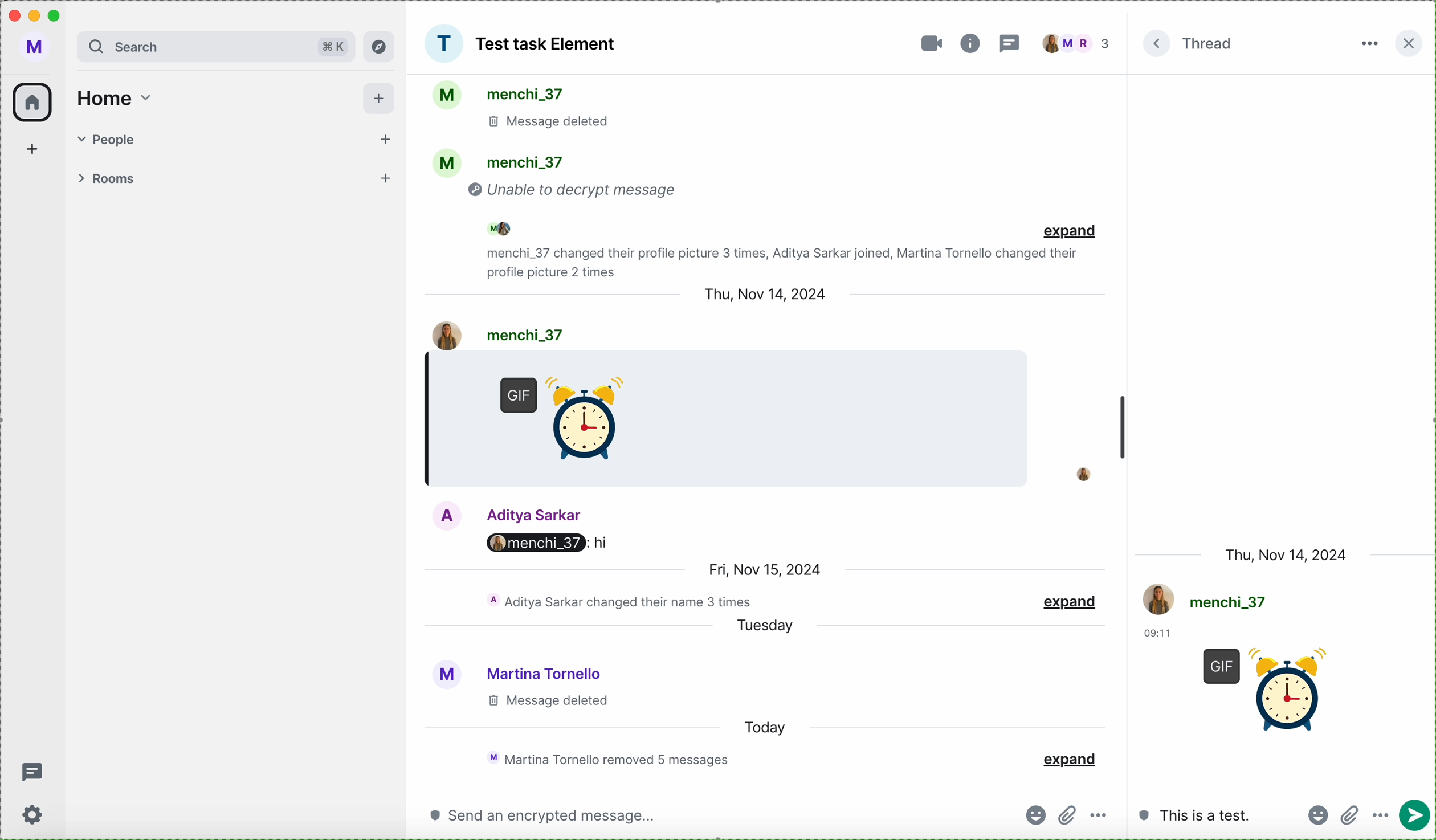  What do you see at coordinates (36, 18) in the screenshot?
I see `minimize program` at bounding box center [36, 18].